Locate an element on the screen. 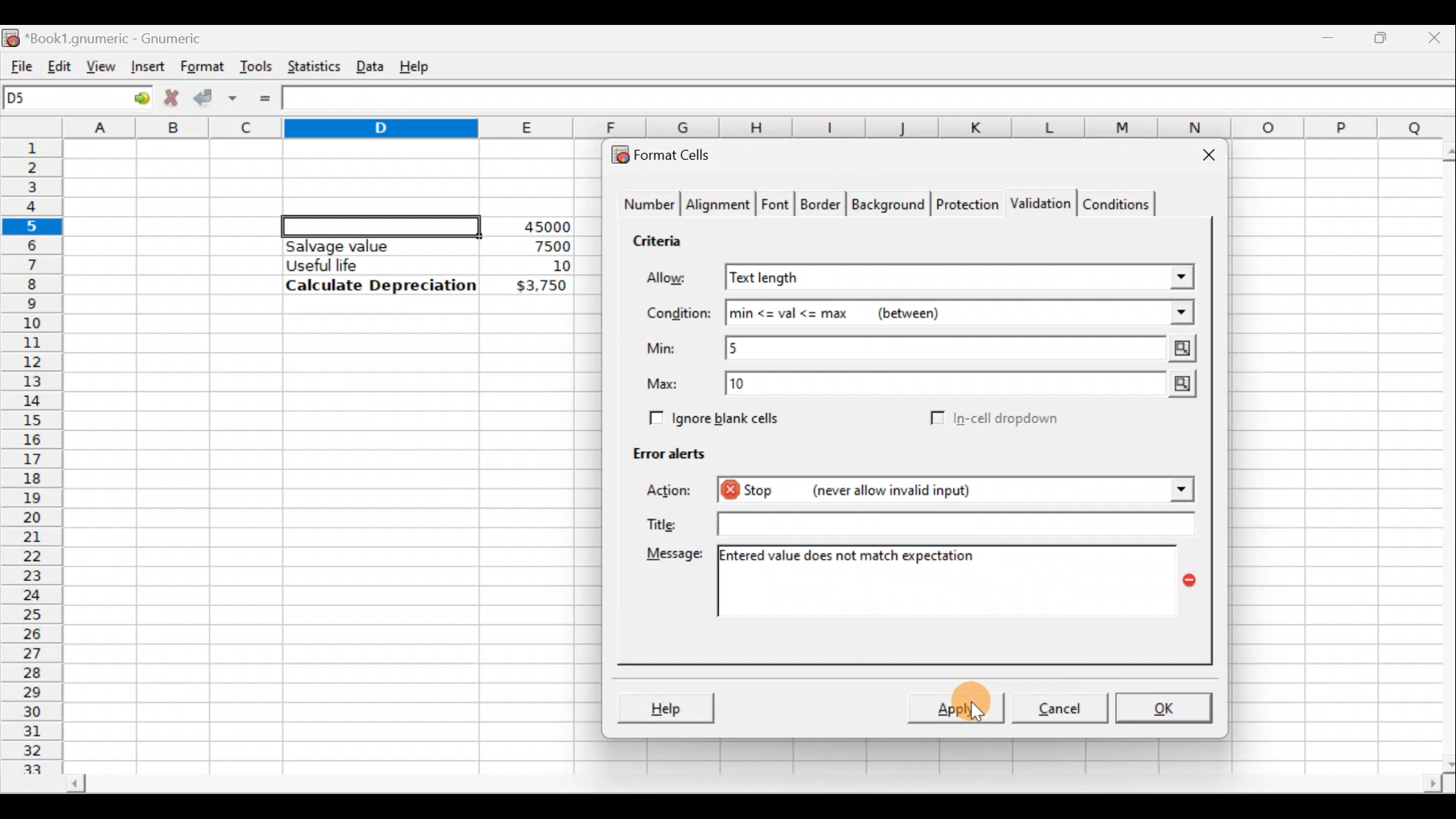  Selected cell is located at coordinates (381, 224).